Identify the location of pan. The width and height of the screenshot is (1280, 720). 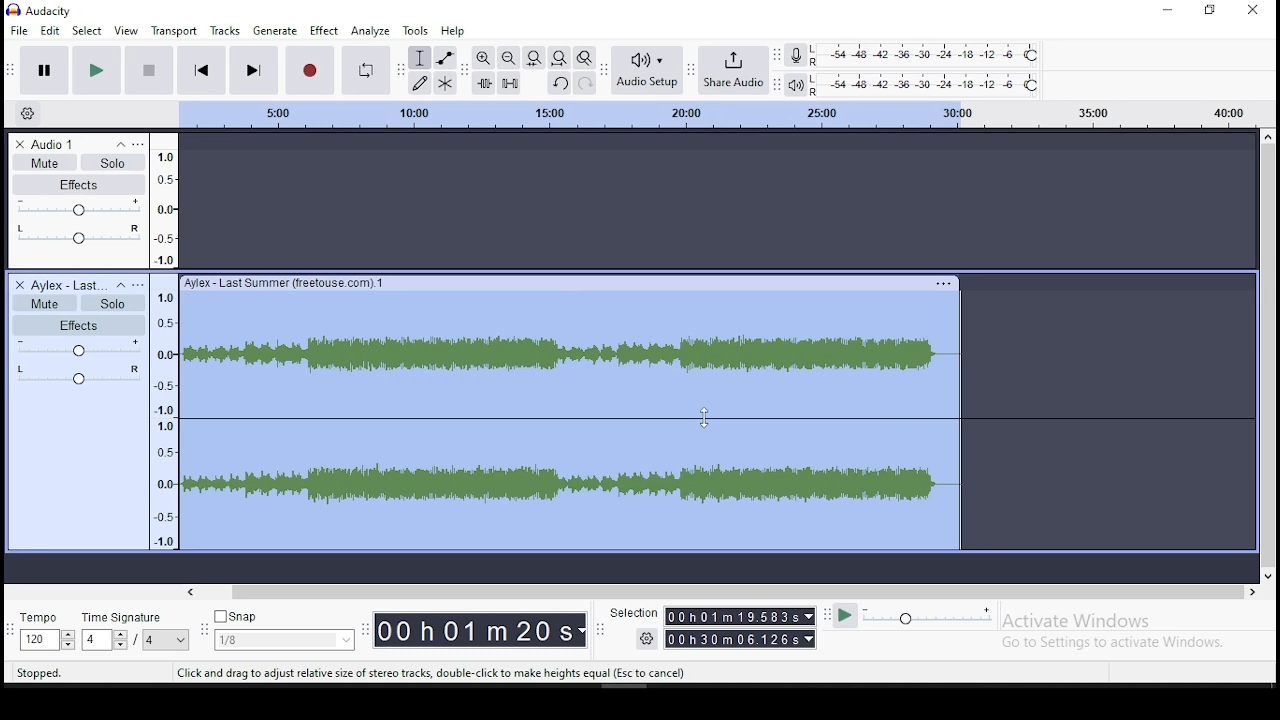
(79, 235).